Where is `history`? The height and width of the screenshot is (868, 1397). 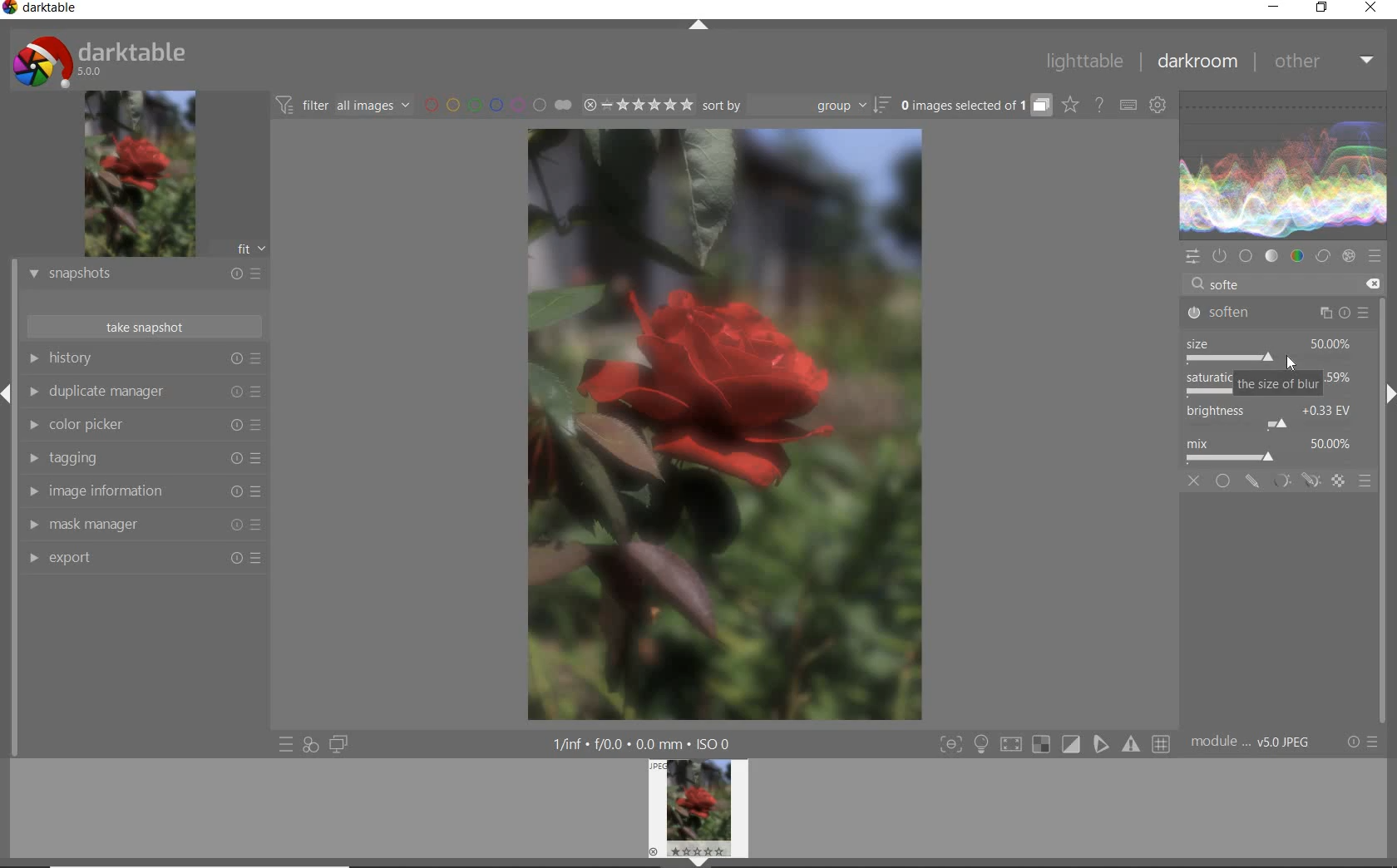
history is located at coordinates (142, 360).